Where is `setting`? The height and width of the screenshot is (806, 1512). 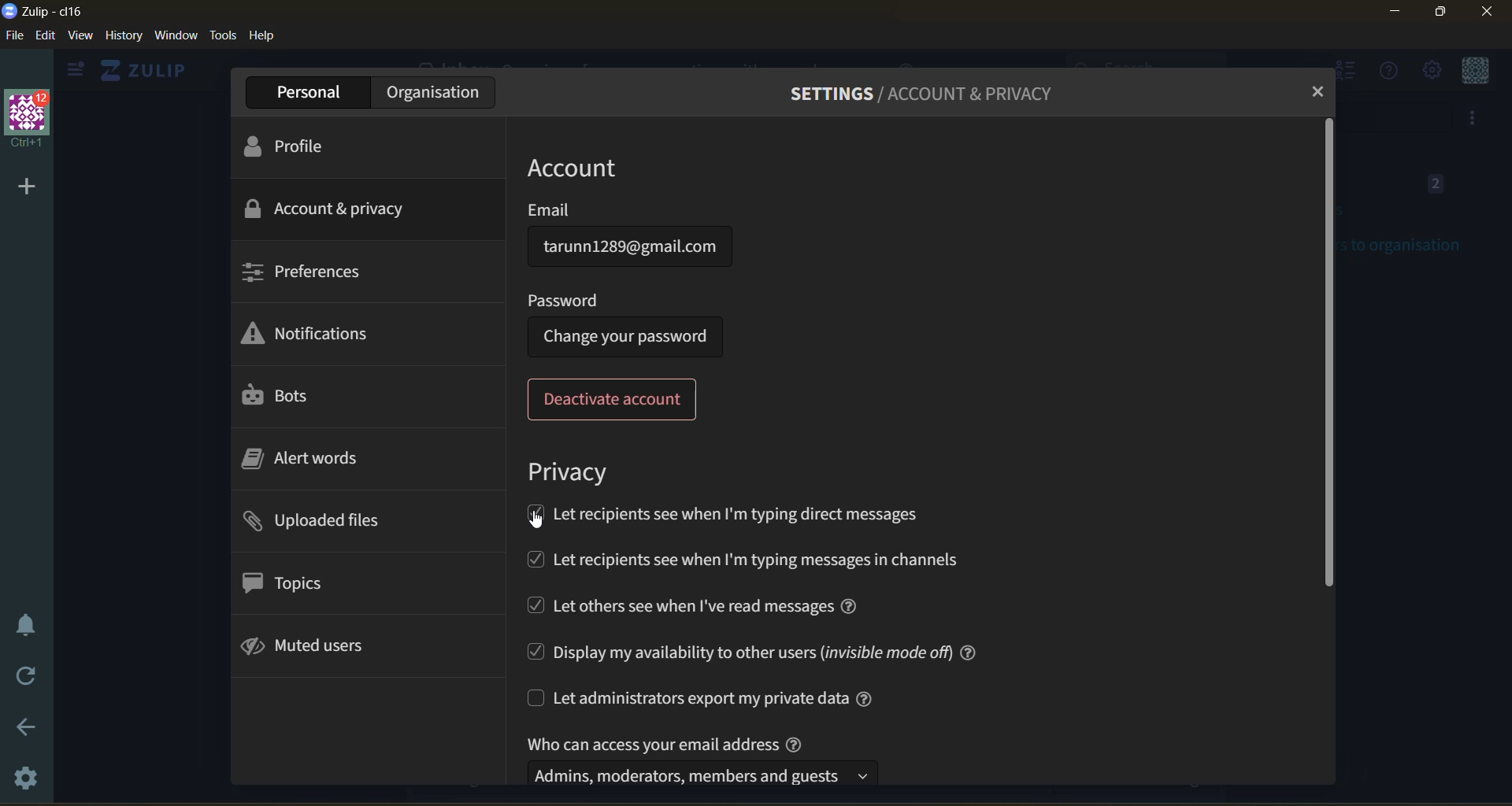 setting is located at coordinates (1430, 72).